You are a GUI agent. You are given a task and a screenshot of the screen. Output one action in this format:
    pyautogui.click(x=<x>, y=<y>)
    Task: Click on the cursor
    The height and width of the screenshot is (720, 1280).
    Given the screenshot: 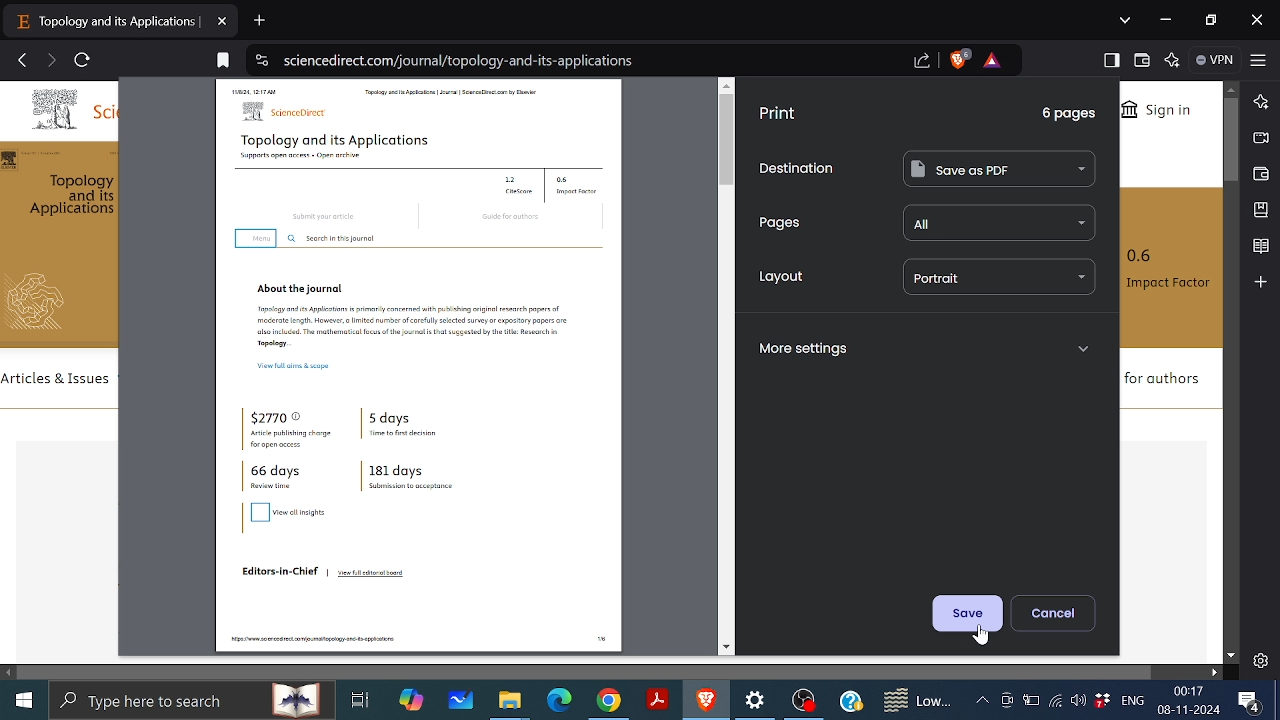 What is the action you would take?
    pyautogui.click(x=982, y=635)
    